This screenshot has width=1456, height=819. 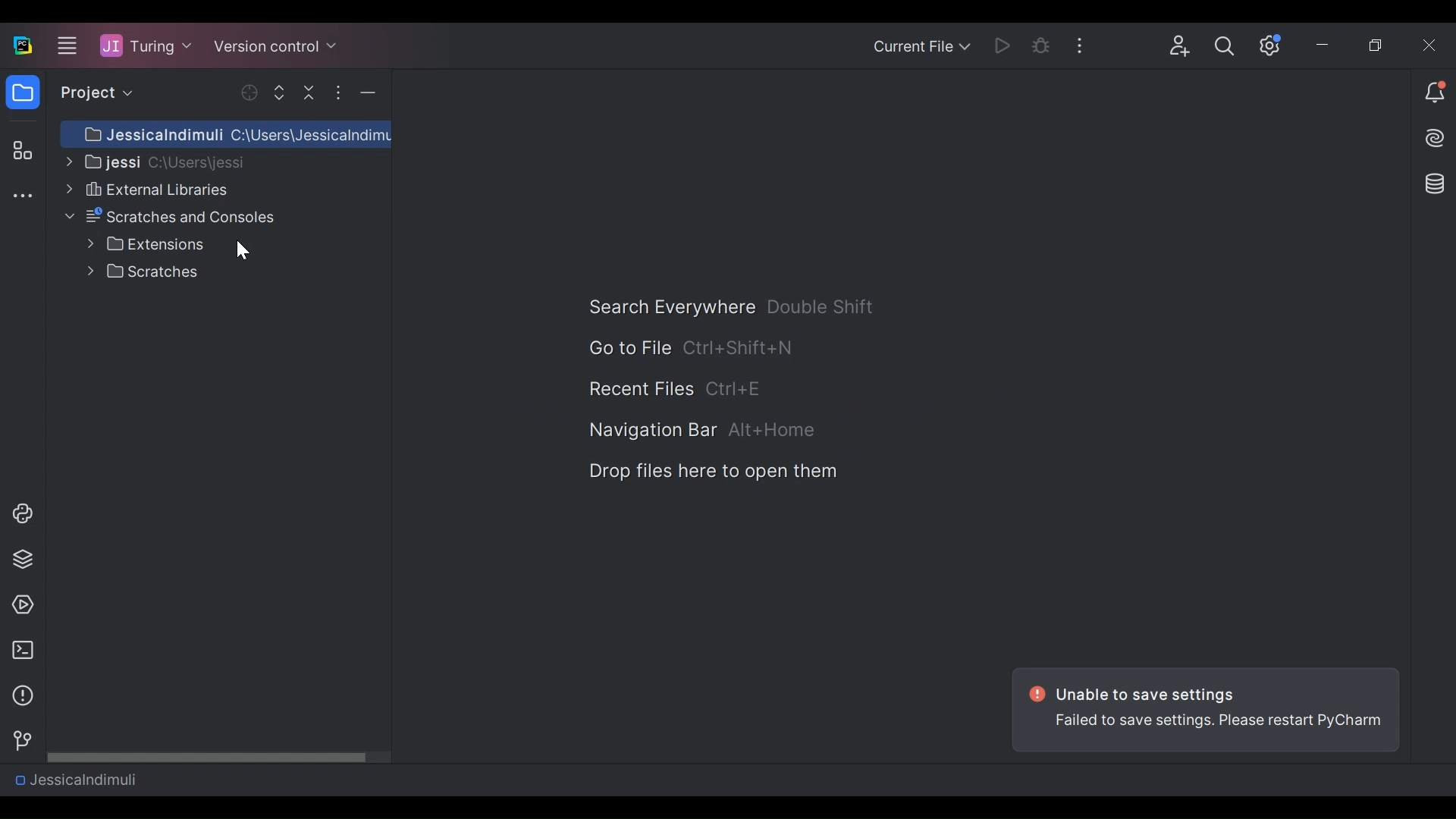 What do you see at coordinates (146, 271) in the screenshot?
I see `Scratches` at bounding box center [146, 271].